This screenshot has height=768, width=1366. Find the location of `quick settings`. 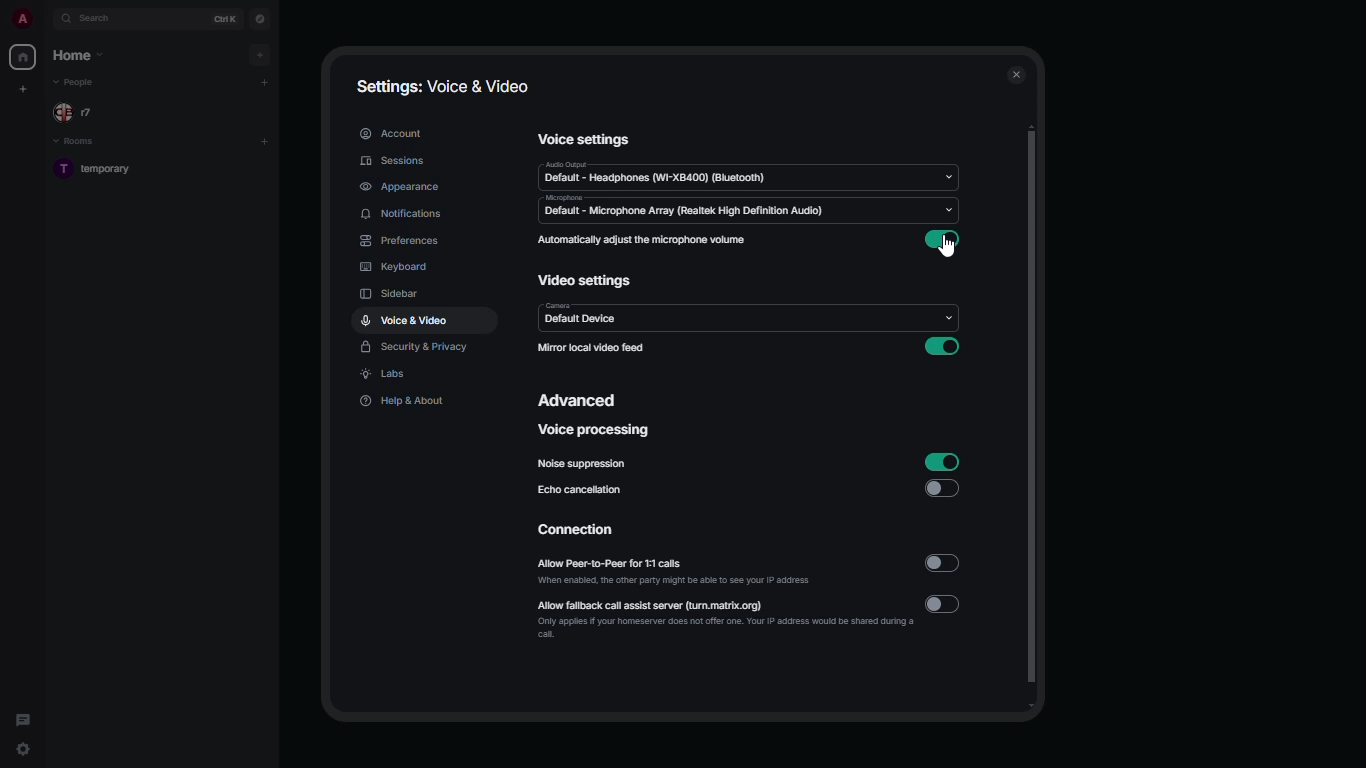

quick settings is located at coordinates (24, 749).